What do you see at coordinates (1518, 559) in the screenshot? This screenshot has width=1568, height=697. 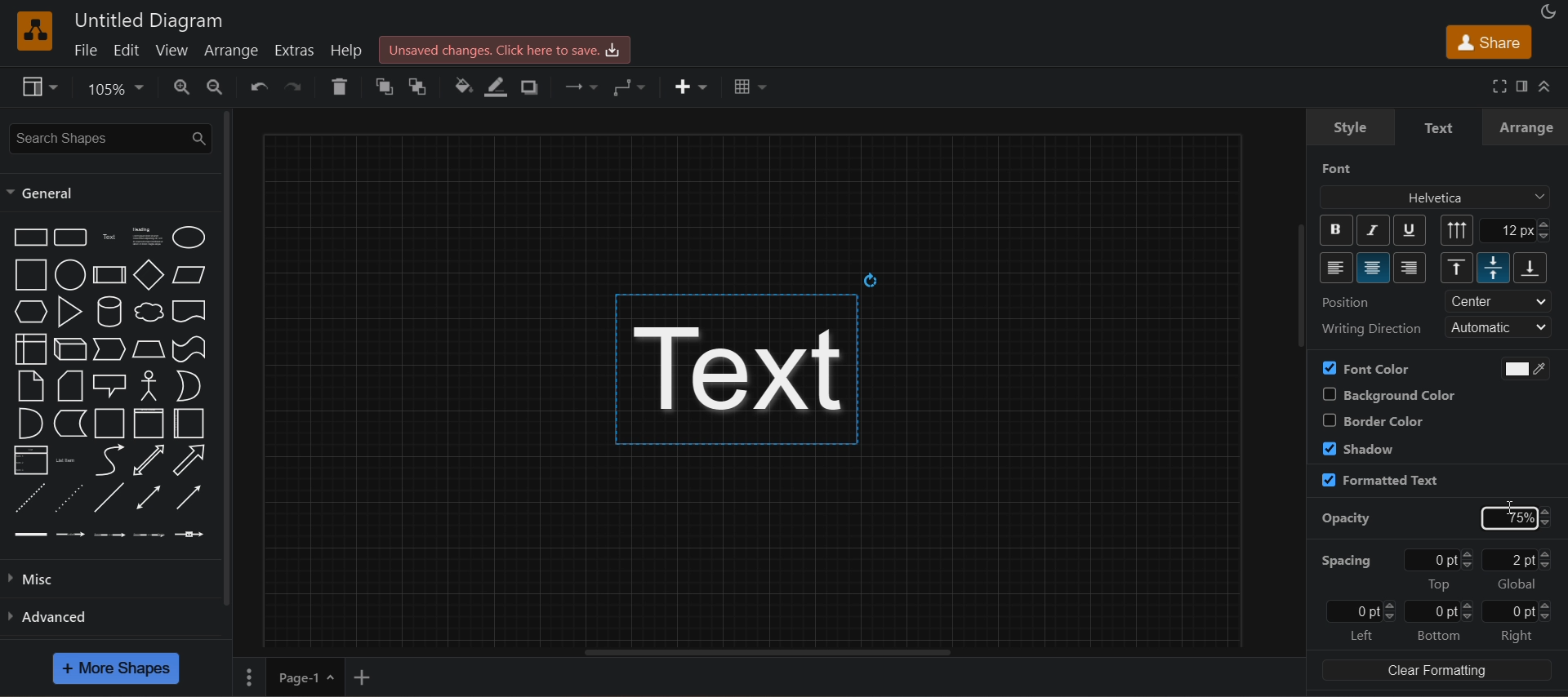 I see `2 pt` at bounding box center [1518, 559].